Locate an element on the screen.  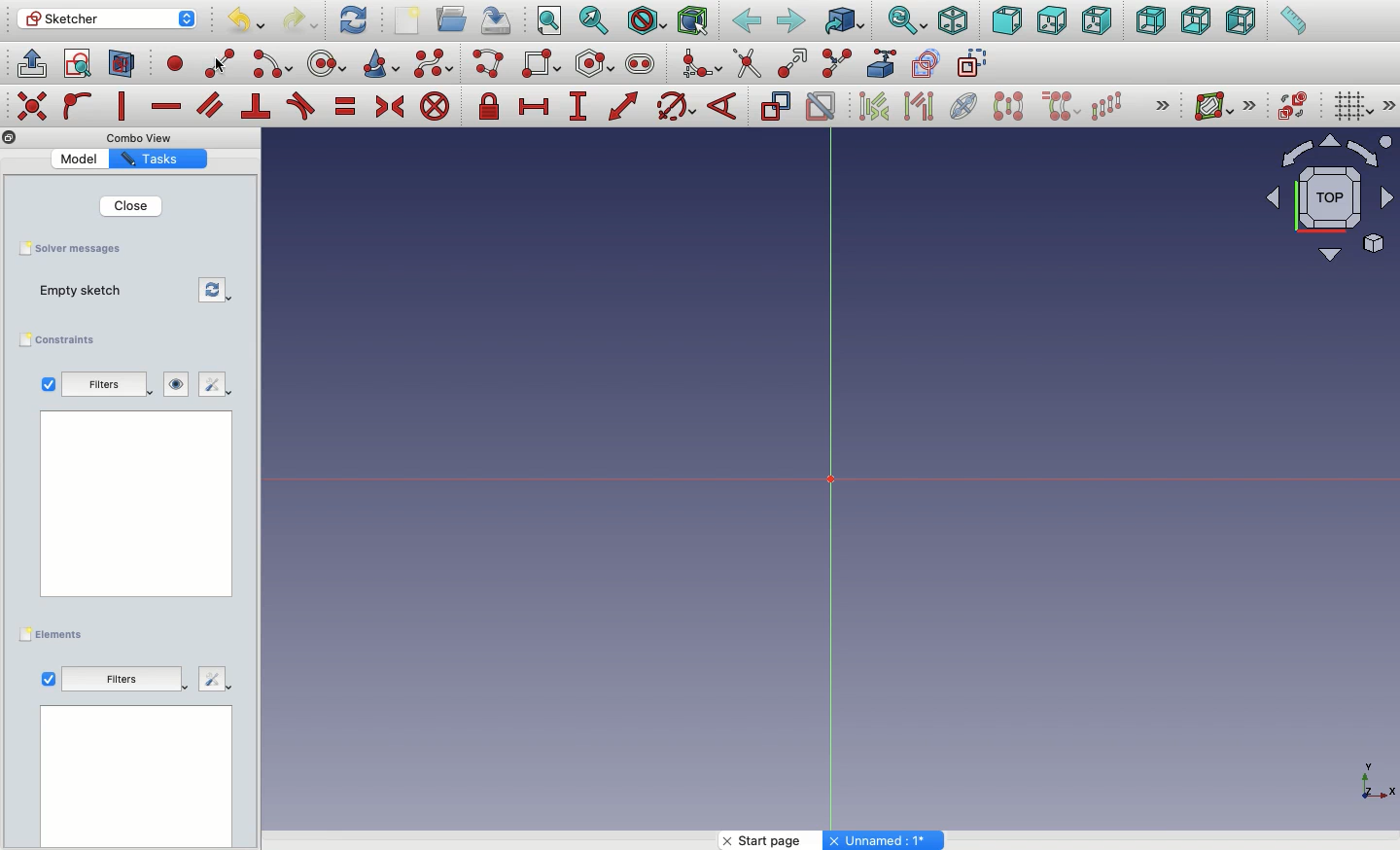
circle is located at coordinates (328, 63).